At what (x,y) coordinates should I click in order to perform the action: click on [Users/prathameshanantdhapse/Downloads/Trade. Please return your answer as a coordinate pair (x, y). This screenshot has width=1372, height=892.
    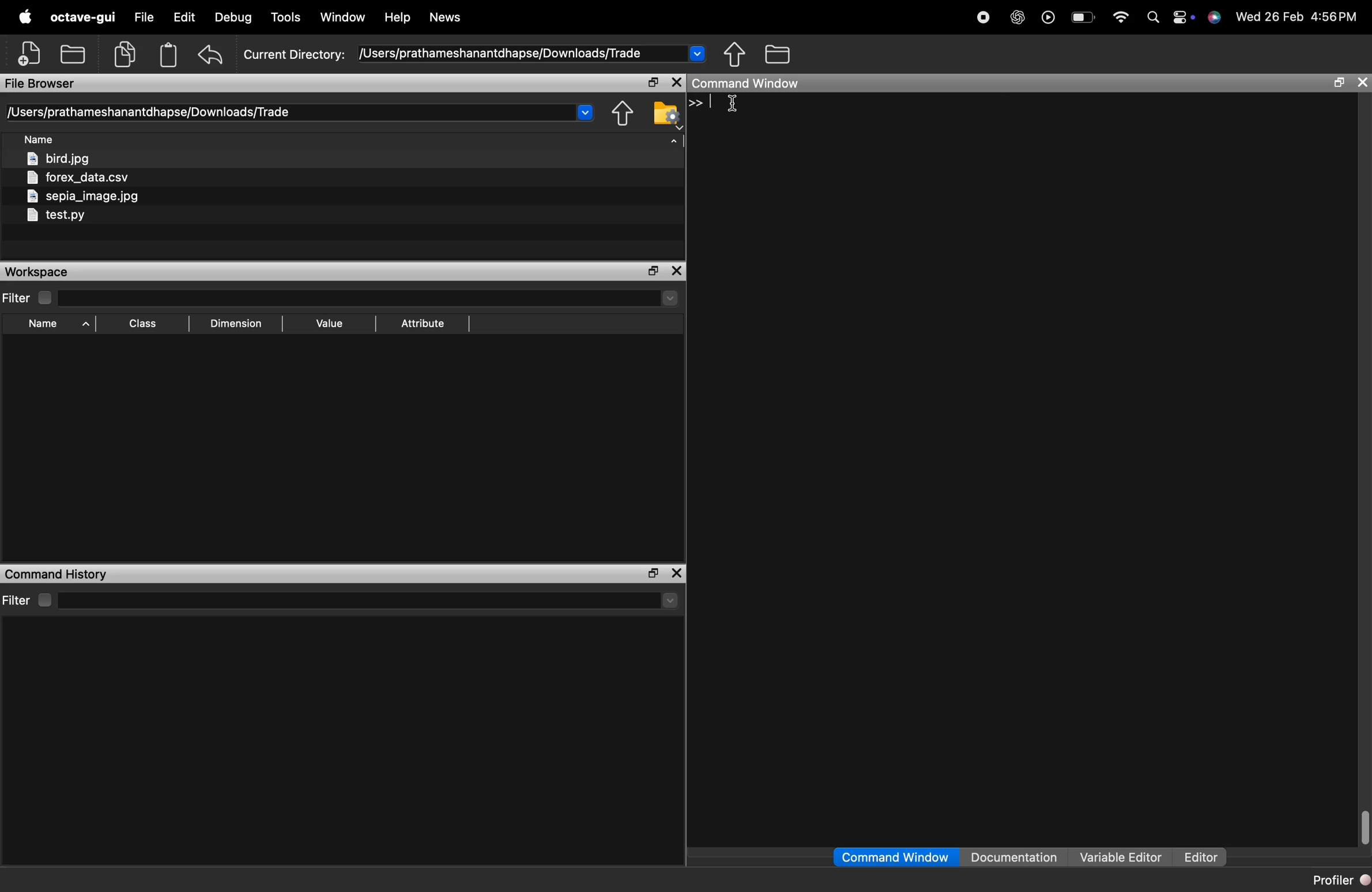
    Looking at the image, I should click on (147, 112).